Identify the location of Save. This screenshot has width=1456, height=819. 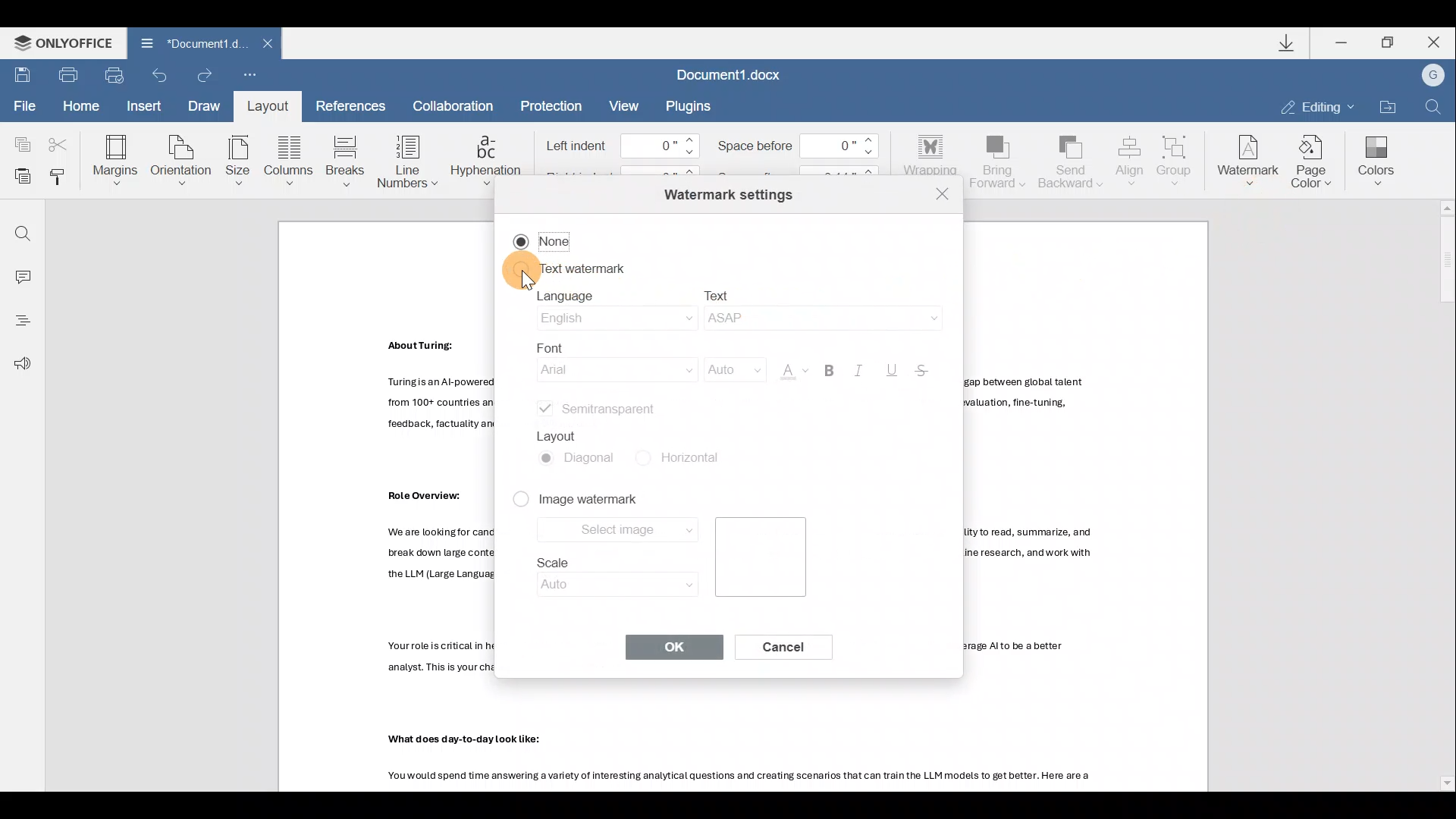
(20, 76).